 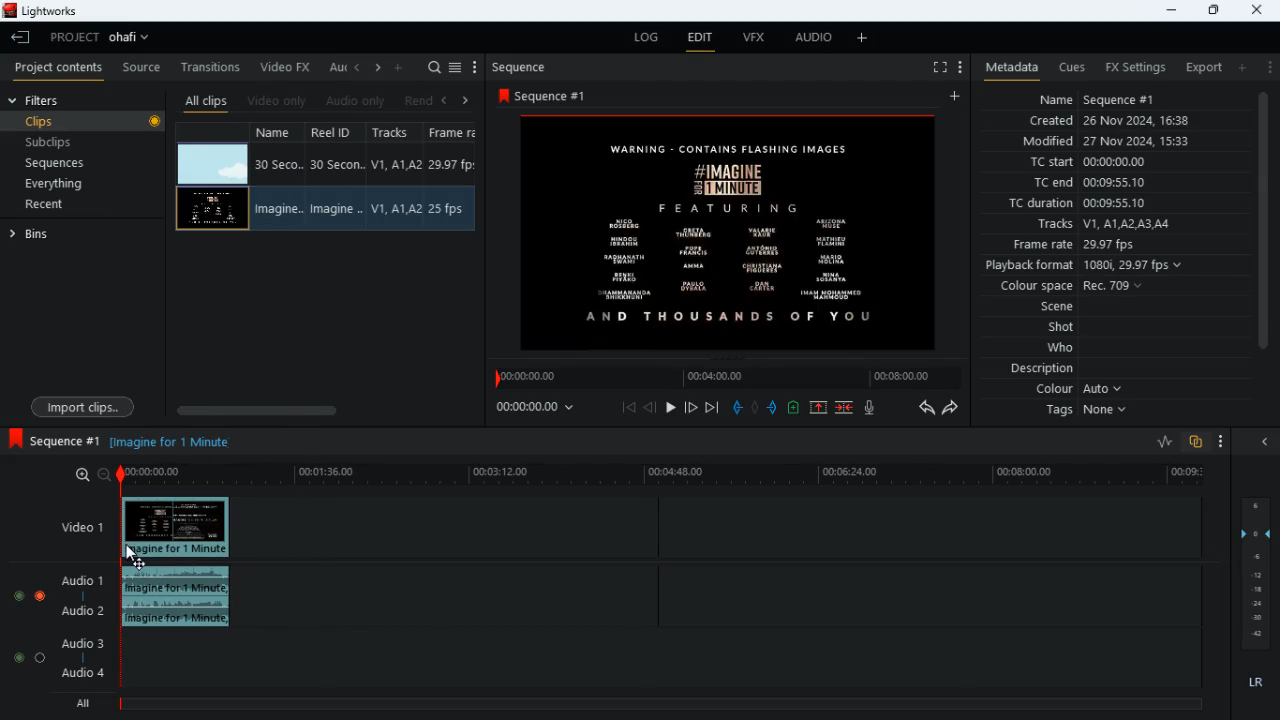 I want to click on forward, so click(x=955, y=410).